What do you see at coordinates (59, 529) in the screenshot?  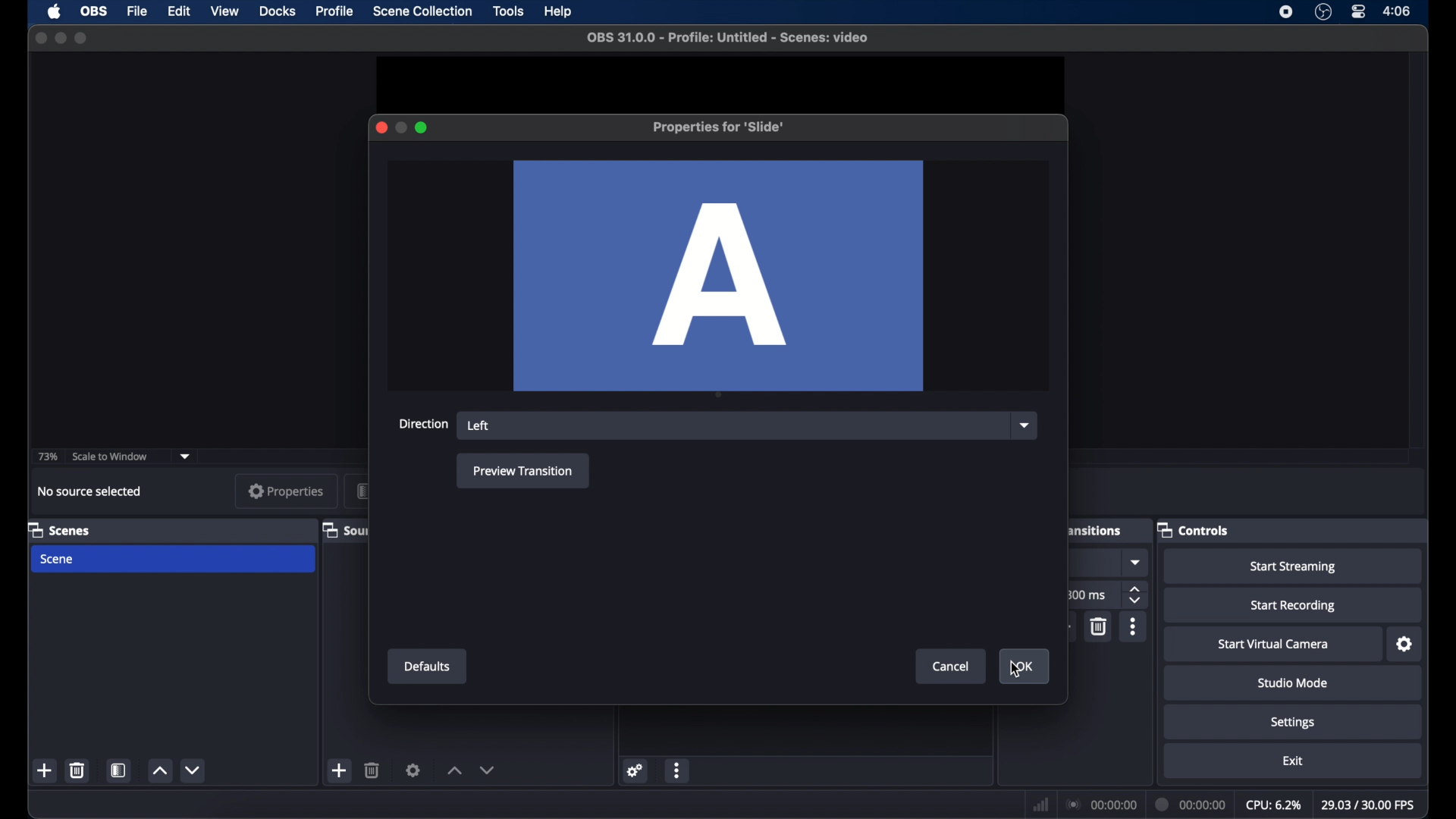 I see `scene` at bounding box center [59, 529].